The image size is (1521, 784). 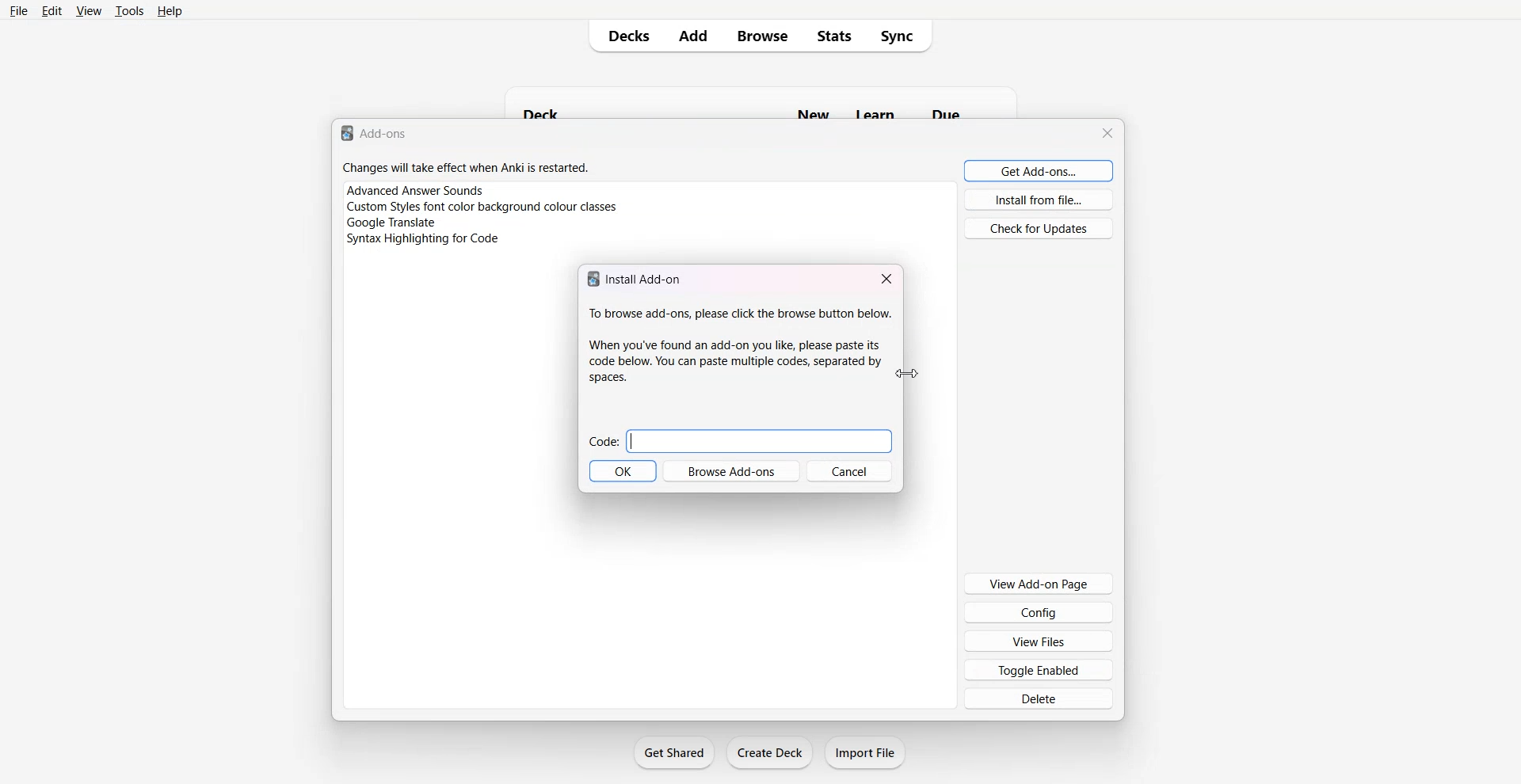 What do you see at coordinates (838, 36) in the screenshot?
I see `Stats` at bounding box center [838, 36].